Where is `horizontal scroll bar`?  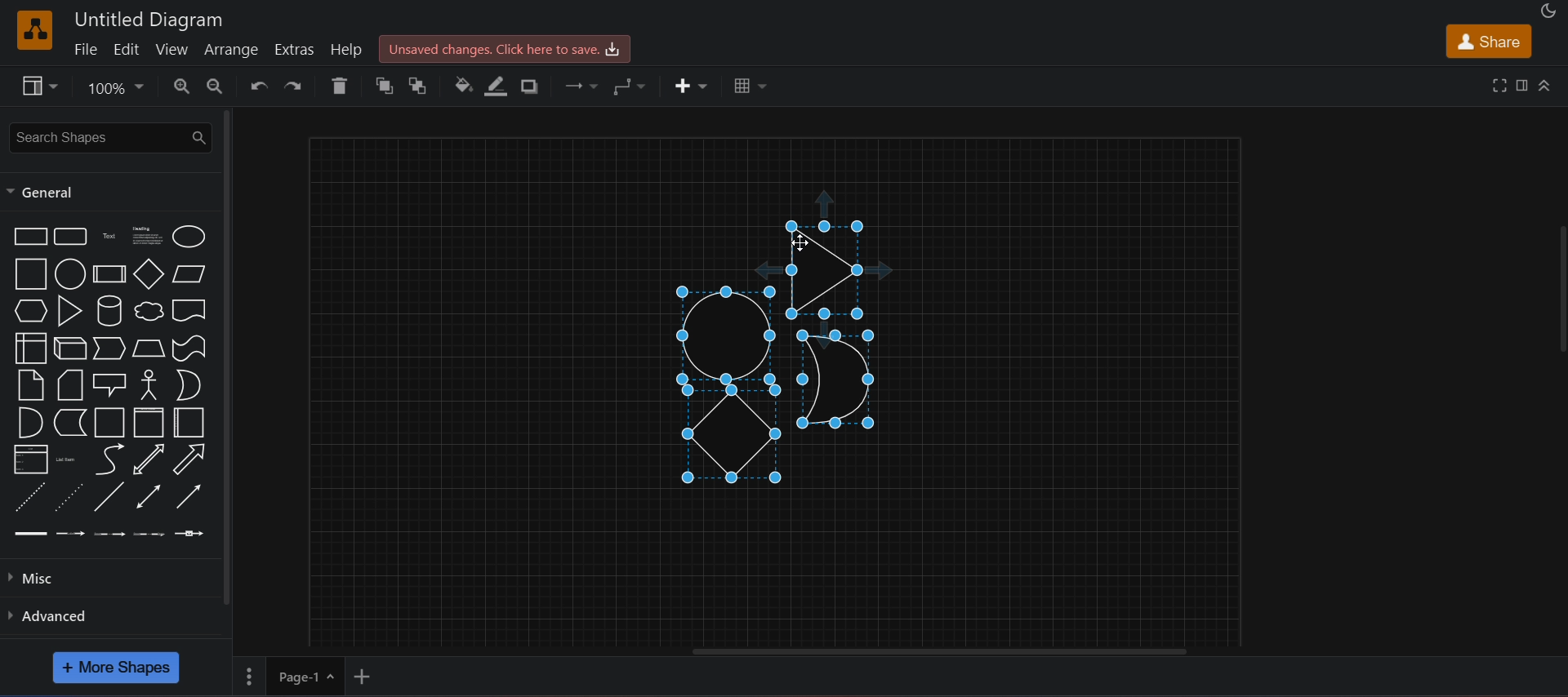 horizontal scroll bar is located at coordinates (938, 654).